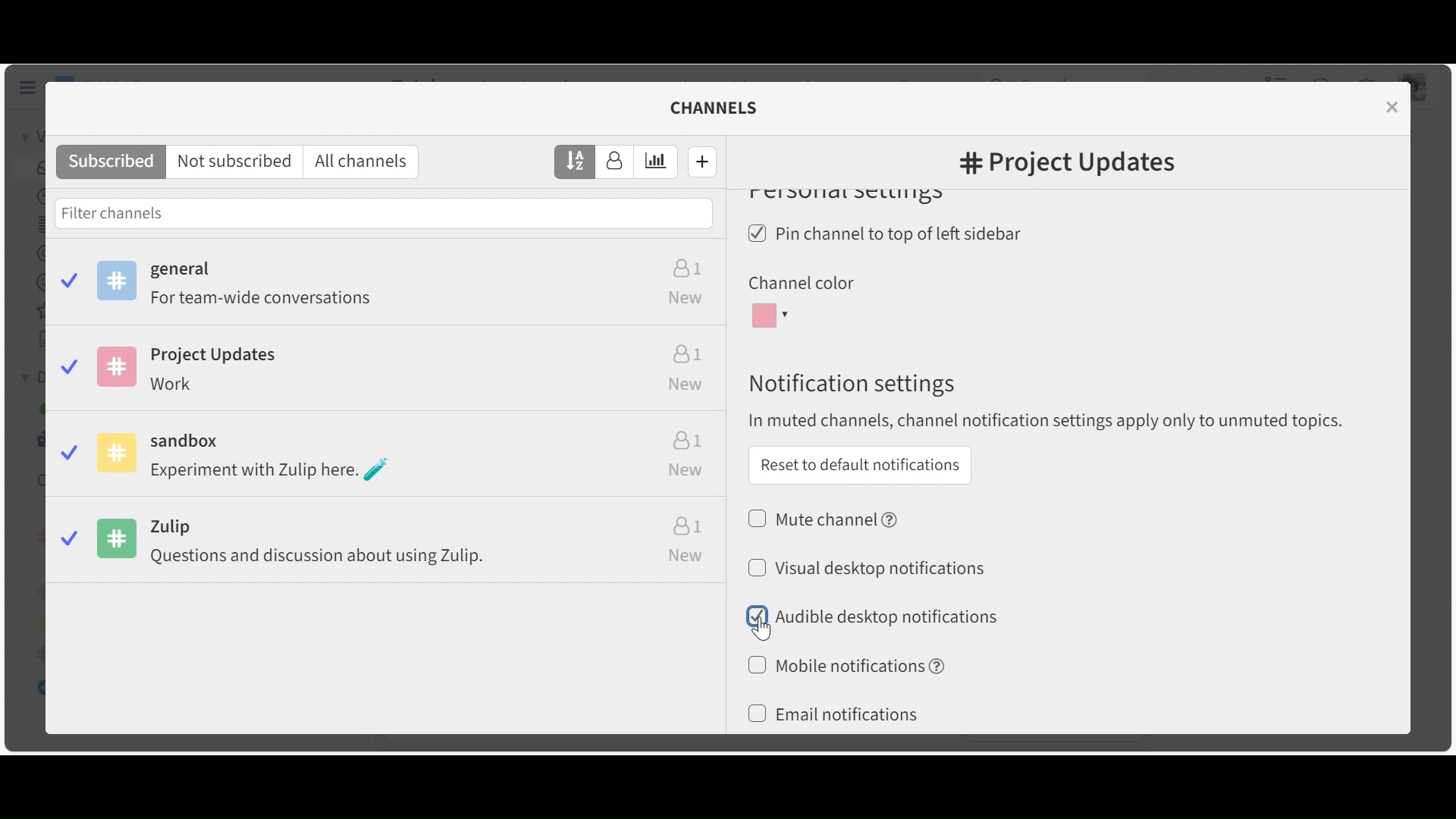 The width and height of the screenshot is (1456, 819). Describe the element at coordinates (366, 162) in the screenshot. I see `All channels` at that location.